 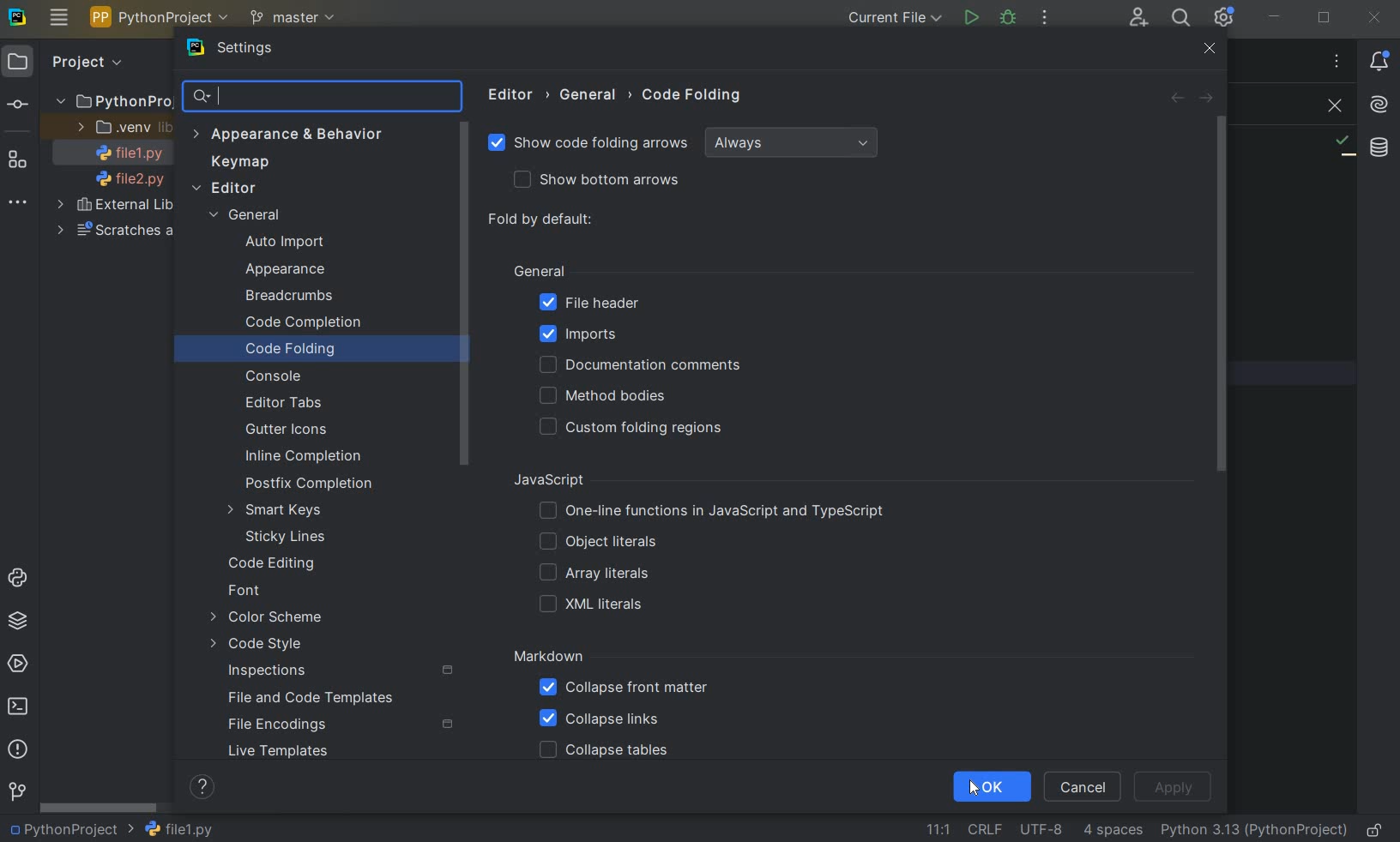 What do you see at coordinates (693, 99) in the screenshot?
I see `CODE FOLDING` at bounding box center [693, 99].